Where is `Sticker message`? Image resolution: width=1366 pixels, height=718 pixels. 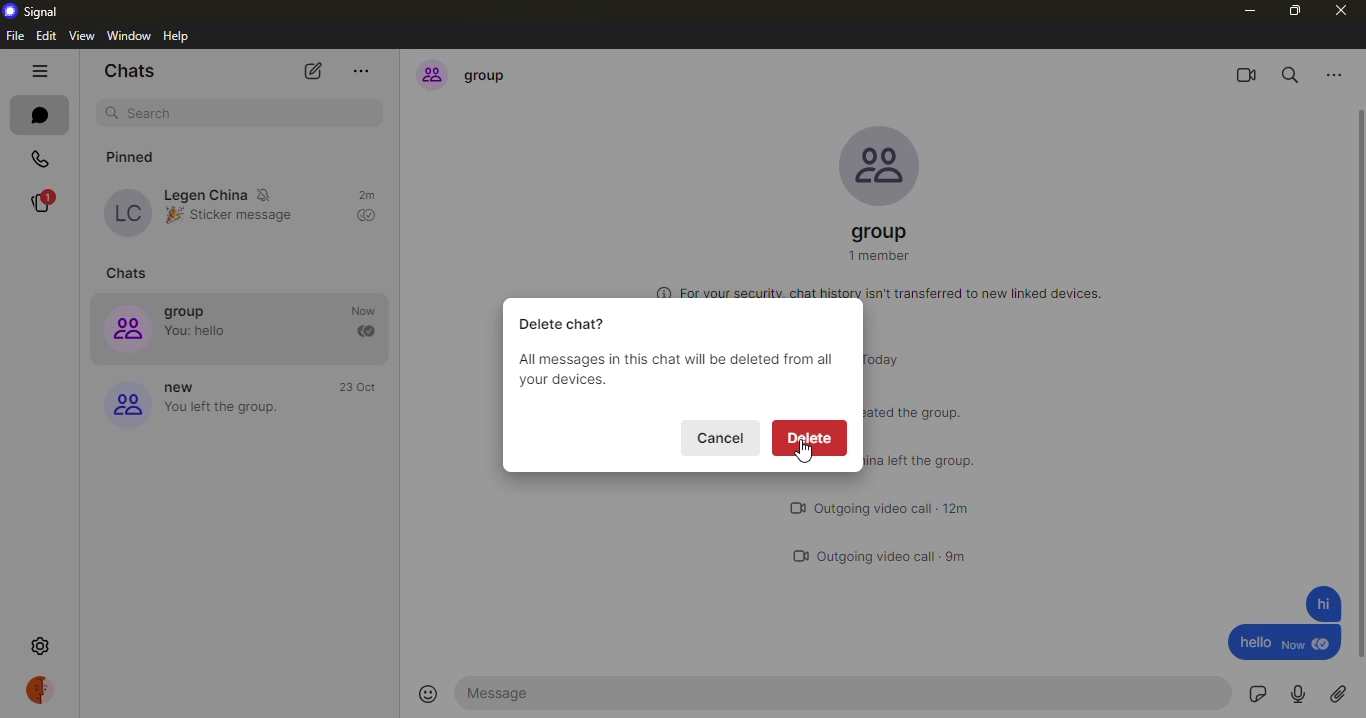
Sticker message is located at coordinates (240, 219).